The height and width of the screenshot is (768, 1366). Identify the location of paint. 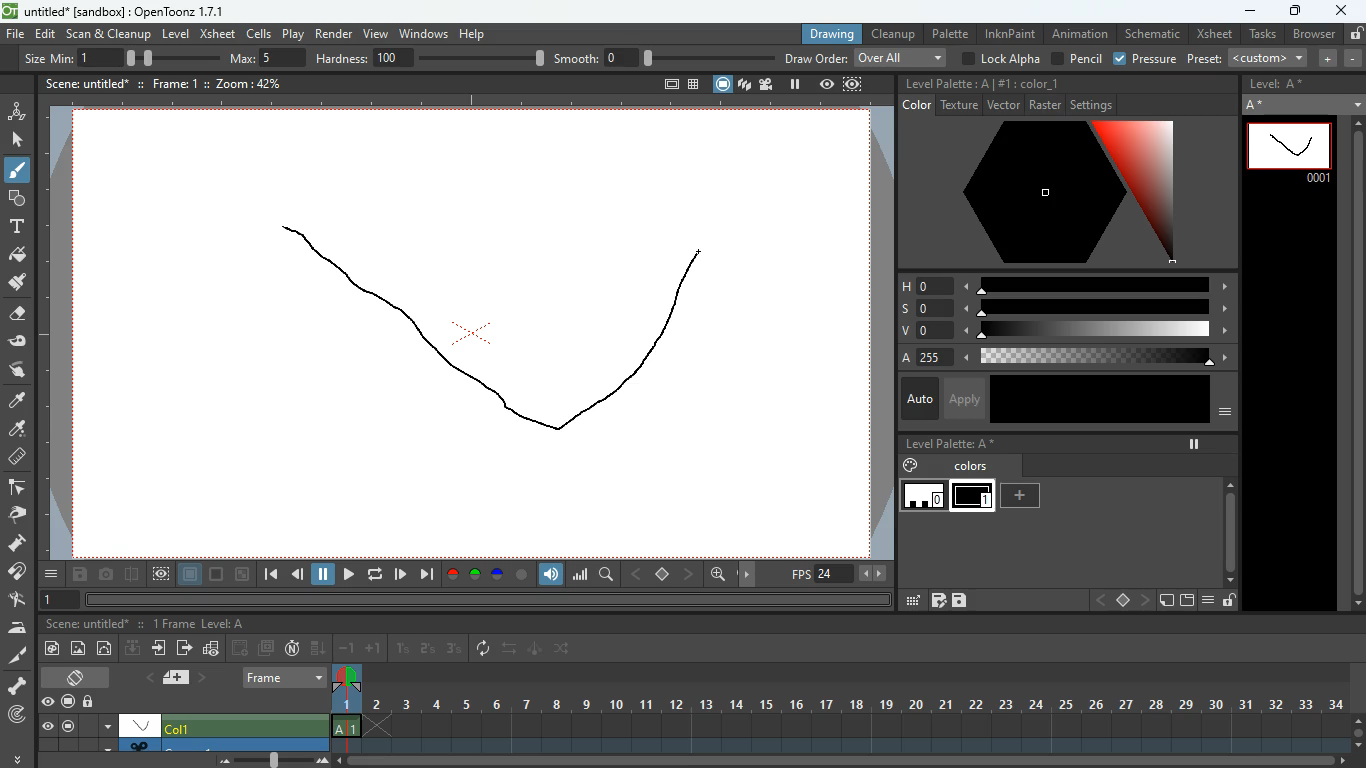
(15, 430).